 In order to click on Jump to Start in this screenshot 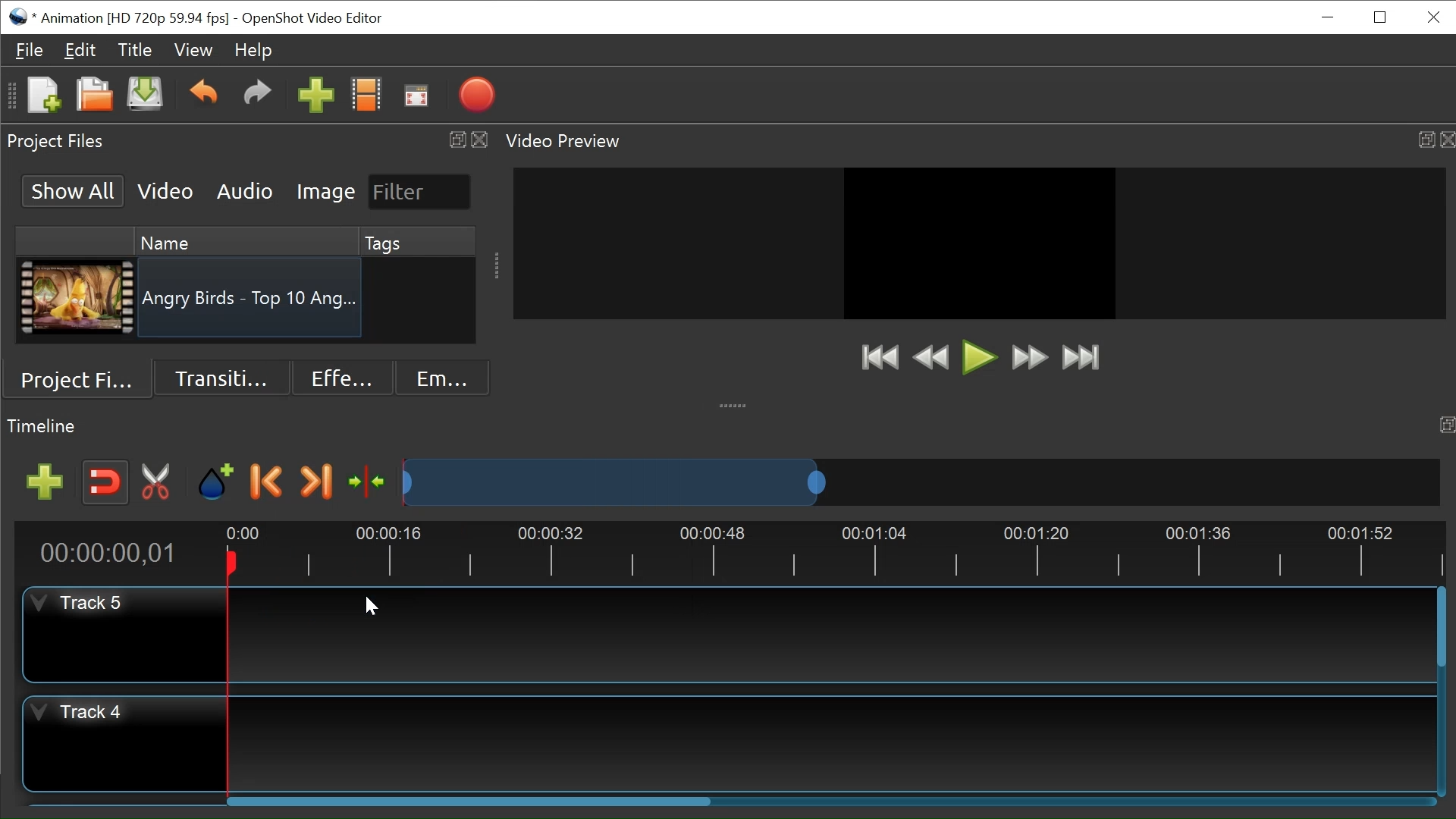, I will do `click(880, 357)`.